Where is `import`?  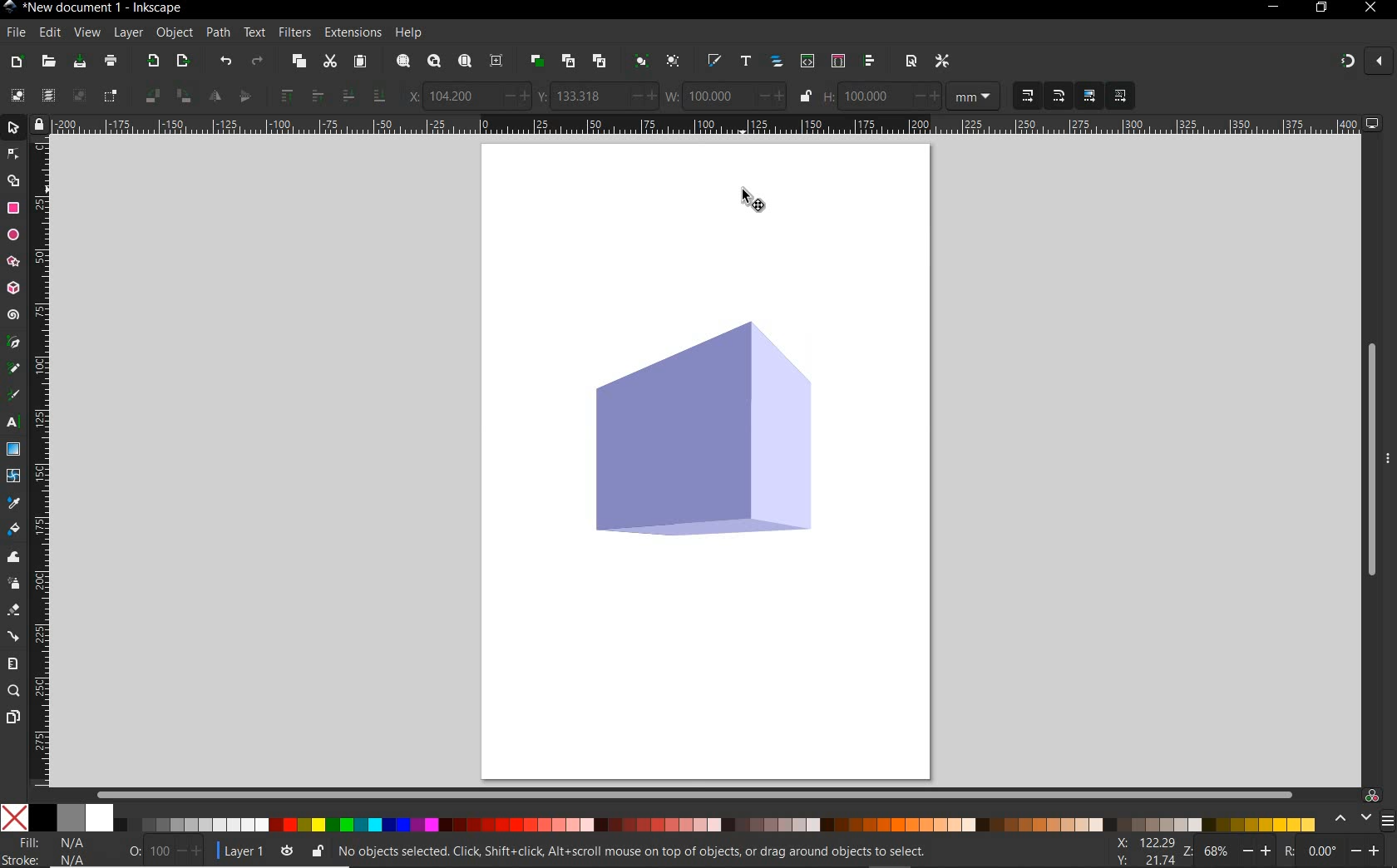 import is located at coordinates (152, 61).